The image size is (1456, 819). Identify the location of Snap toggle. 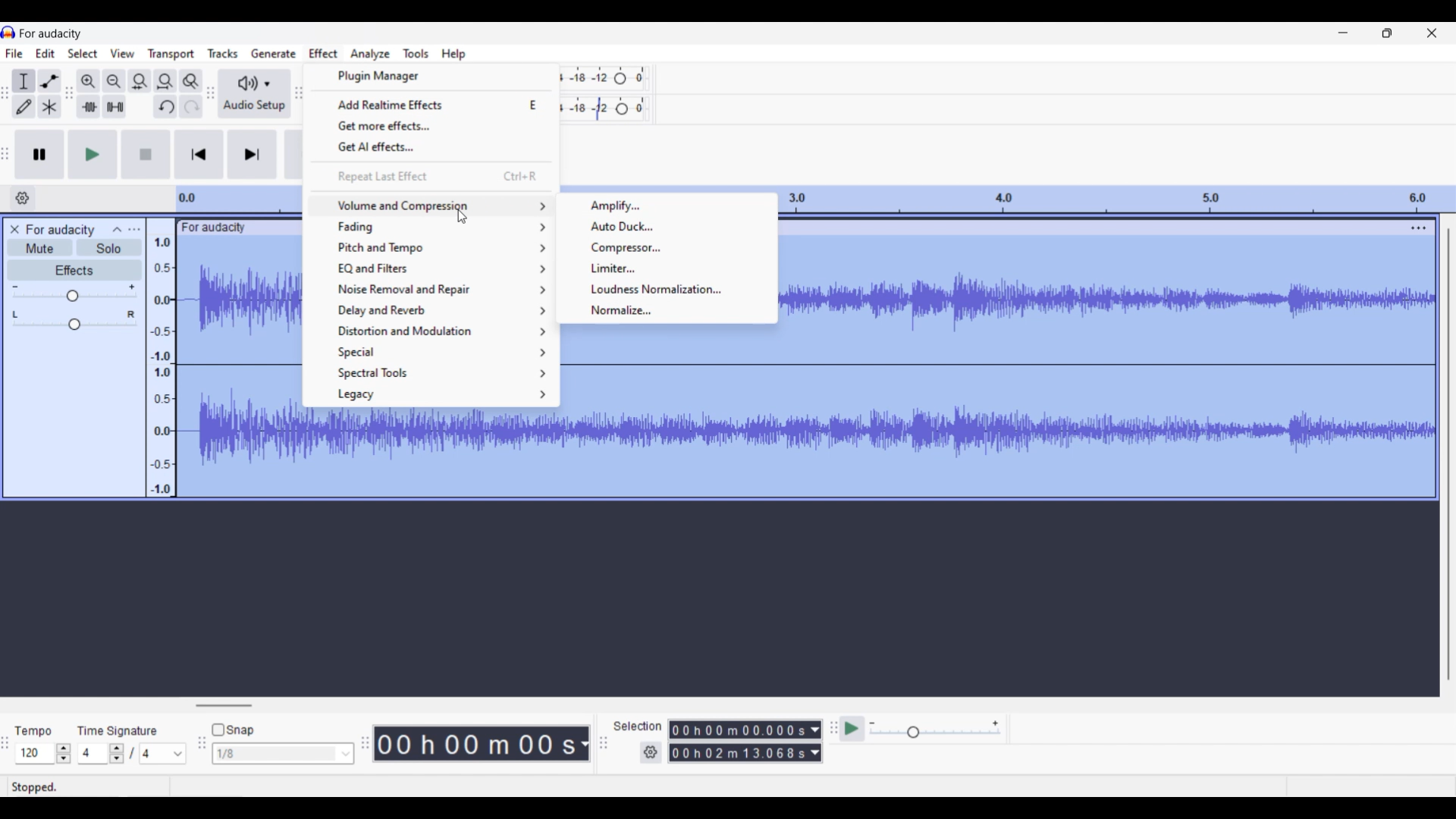
(233, 730).